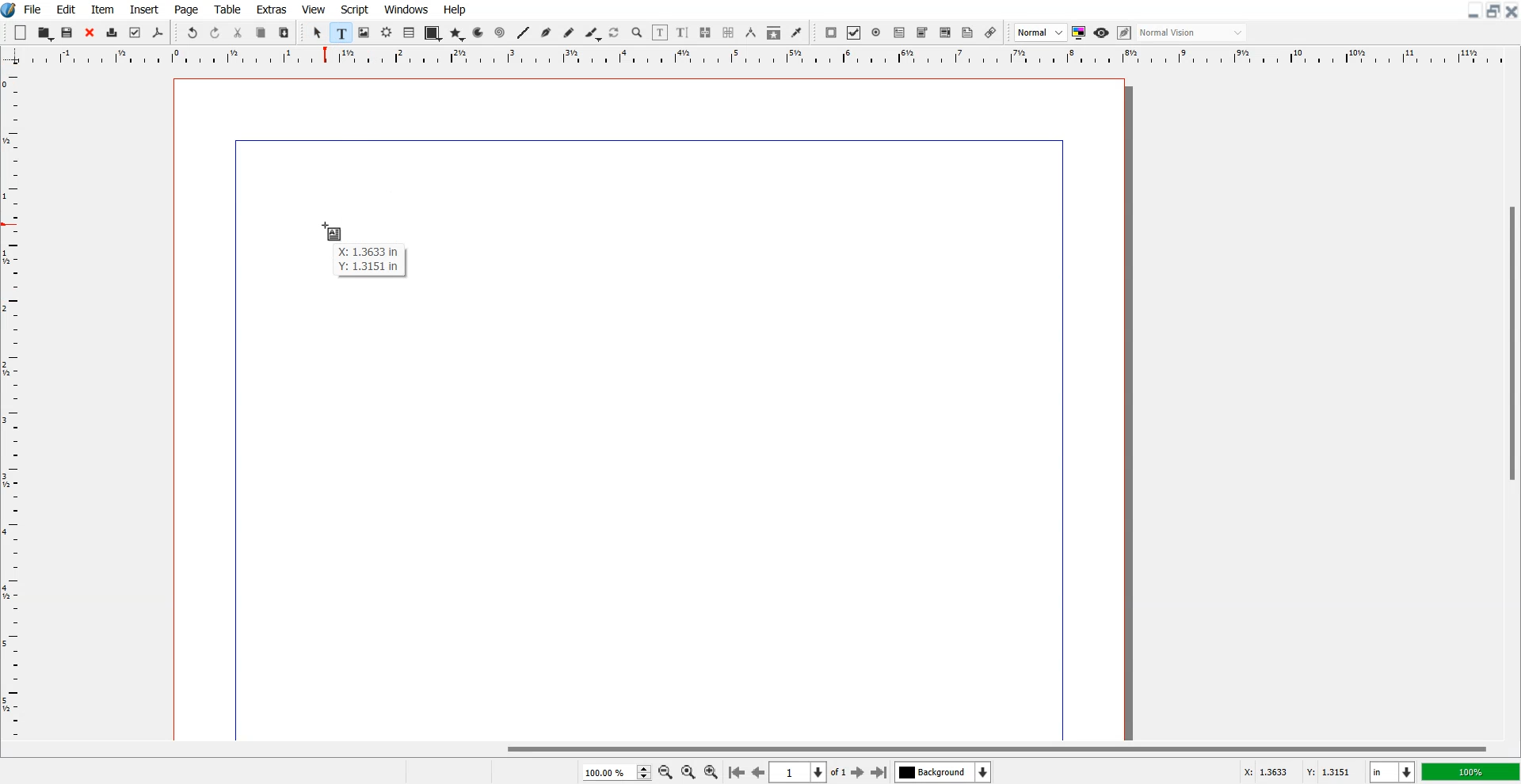 The width and height of the screenshot is (1521, 784). What do you see at coordinates (112, 34) in the screenshot?
I see `Print` at bounding box center [112, 34].